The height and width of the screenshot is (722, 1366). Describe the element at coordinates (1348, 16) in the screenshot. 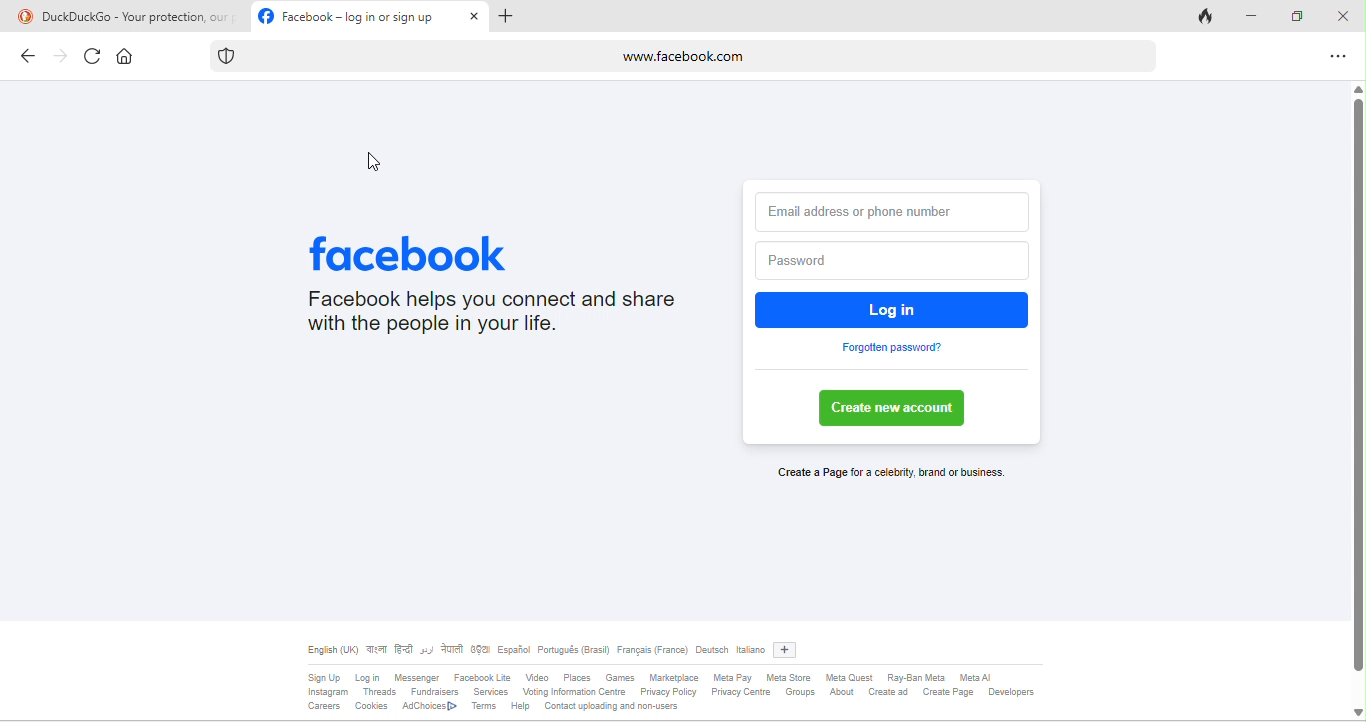

I see `close` at that location.